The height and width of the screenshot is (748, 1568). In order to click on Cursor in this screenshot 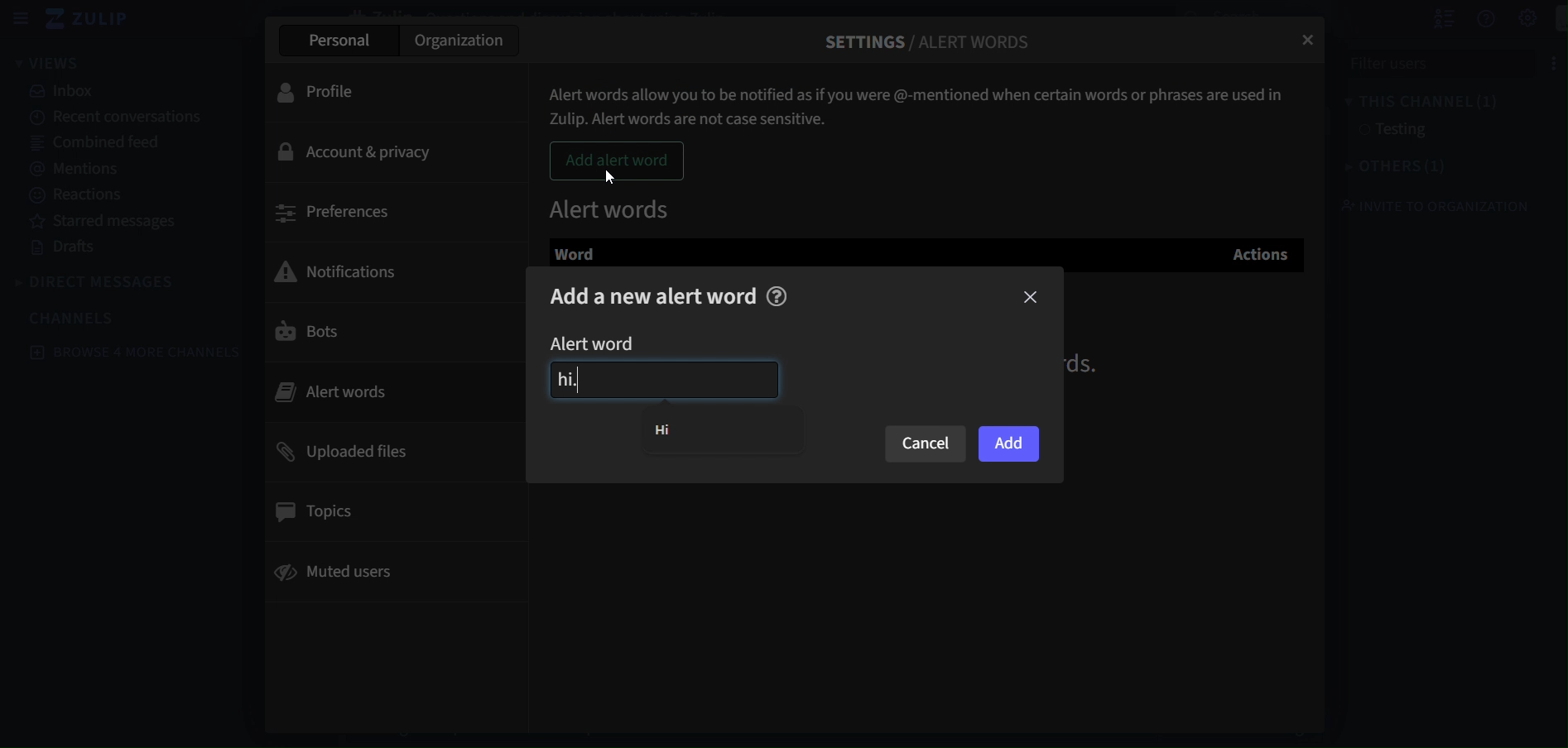, I will do `click(609, 179)`.